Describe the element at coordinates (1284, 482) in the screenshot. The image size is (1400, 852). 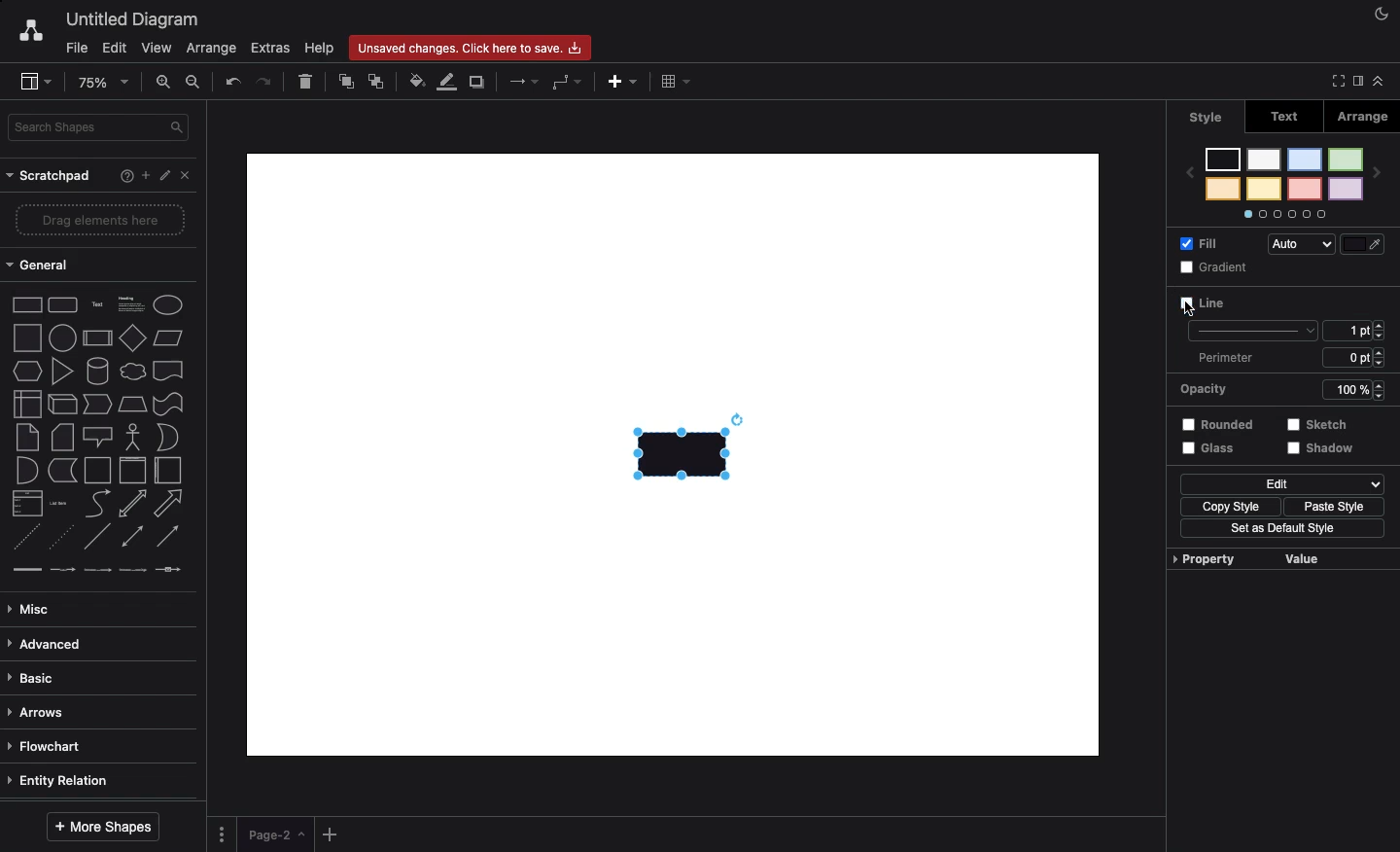
I see `Edit` at that location.